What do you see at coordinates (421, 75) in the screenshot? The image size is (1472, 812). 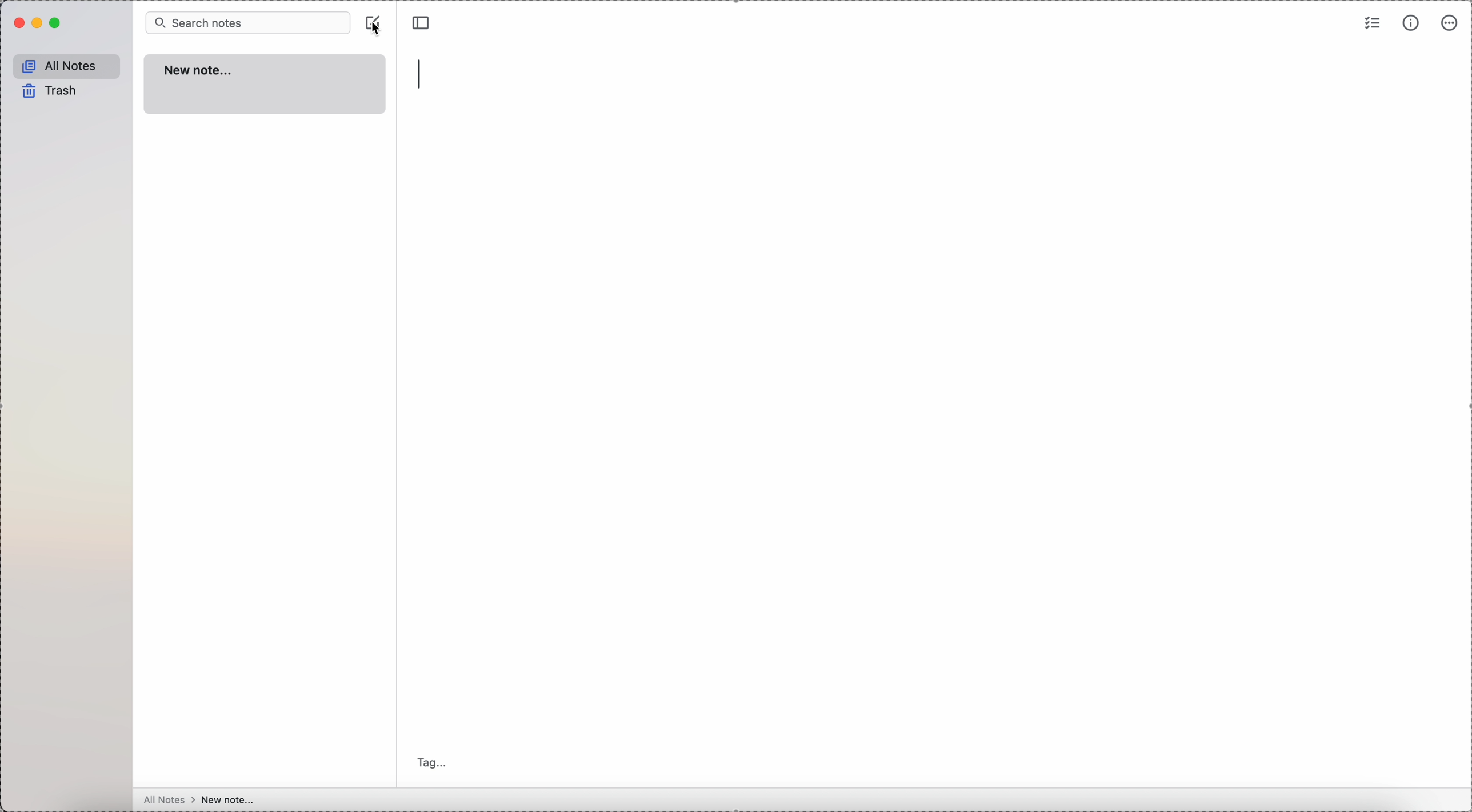 I see `type title` at bounding box center [421, 75].